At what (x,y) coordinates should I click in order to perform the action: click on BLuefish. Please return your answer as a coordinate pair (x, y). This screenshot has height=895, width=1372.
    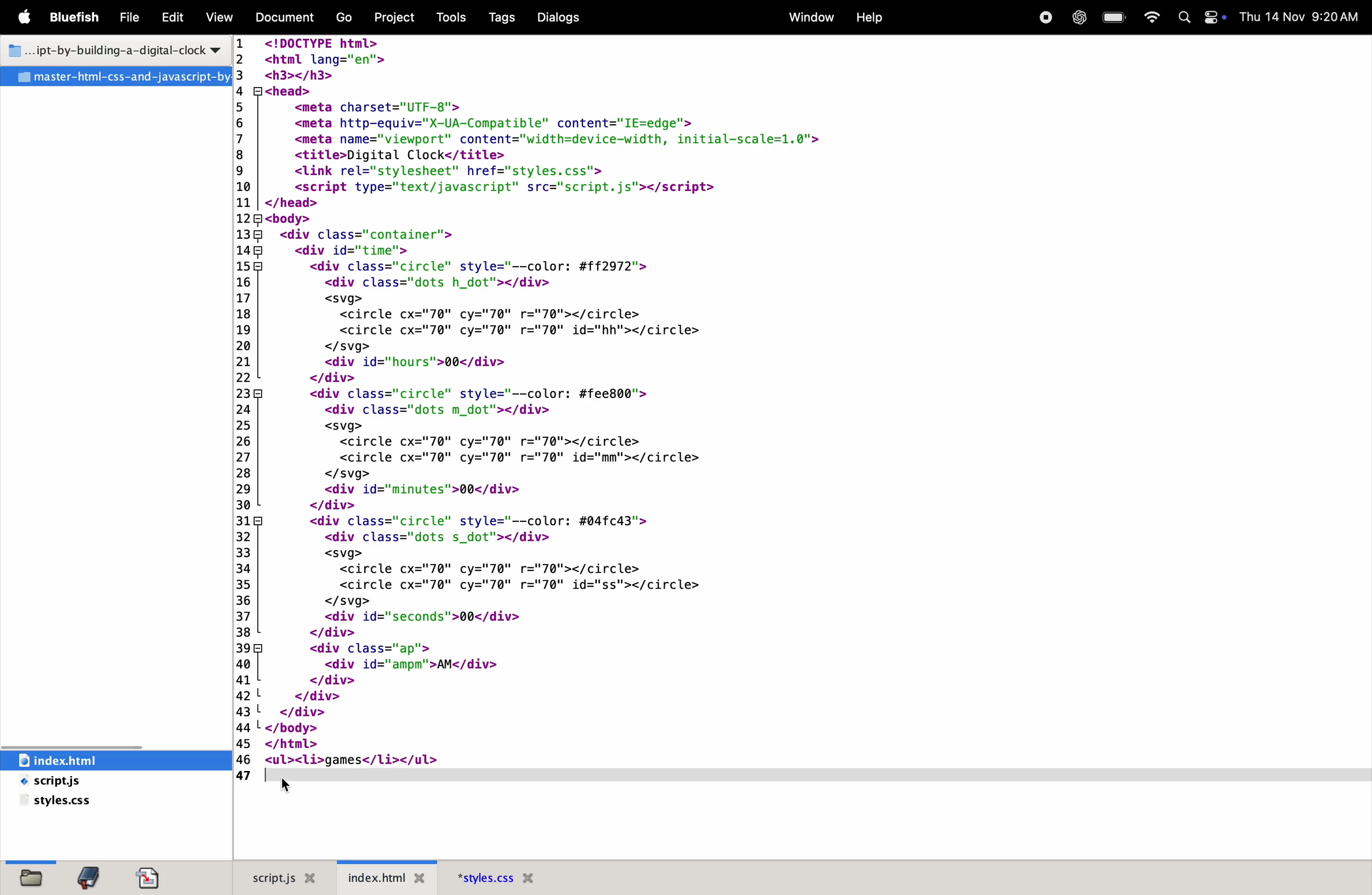
    Looking at the image, I should click on (77, 16).